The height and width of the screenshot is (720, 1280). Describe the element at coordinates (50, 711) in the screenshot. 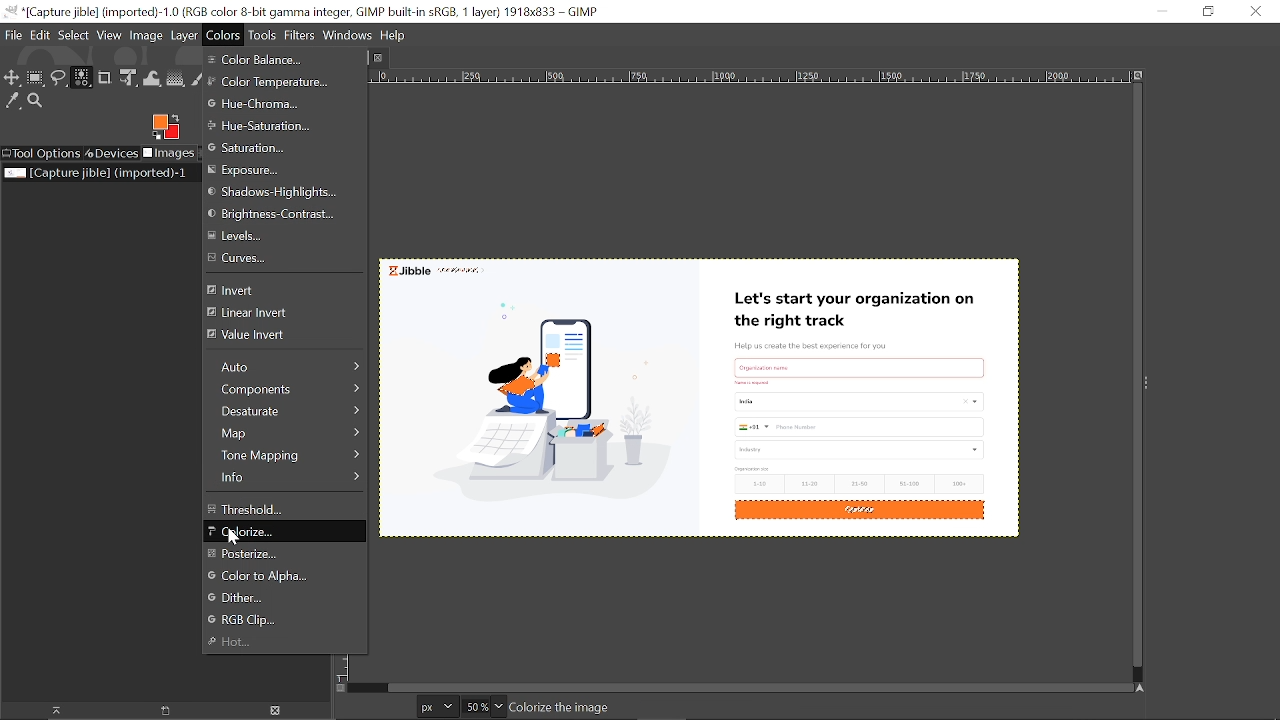

I see `Raise image for this display` at that location.